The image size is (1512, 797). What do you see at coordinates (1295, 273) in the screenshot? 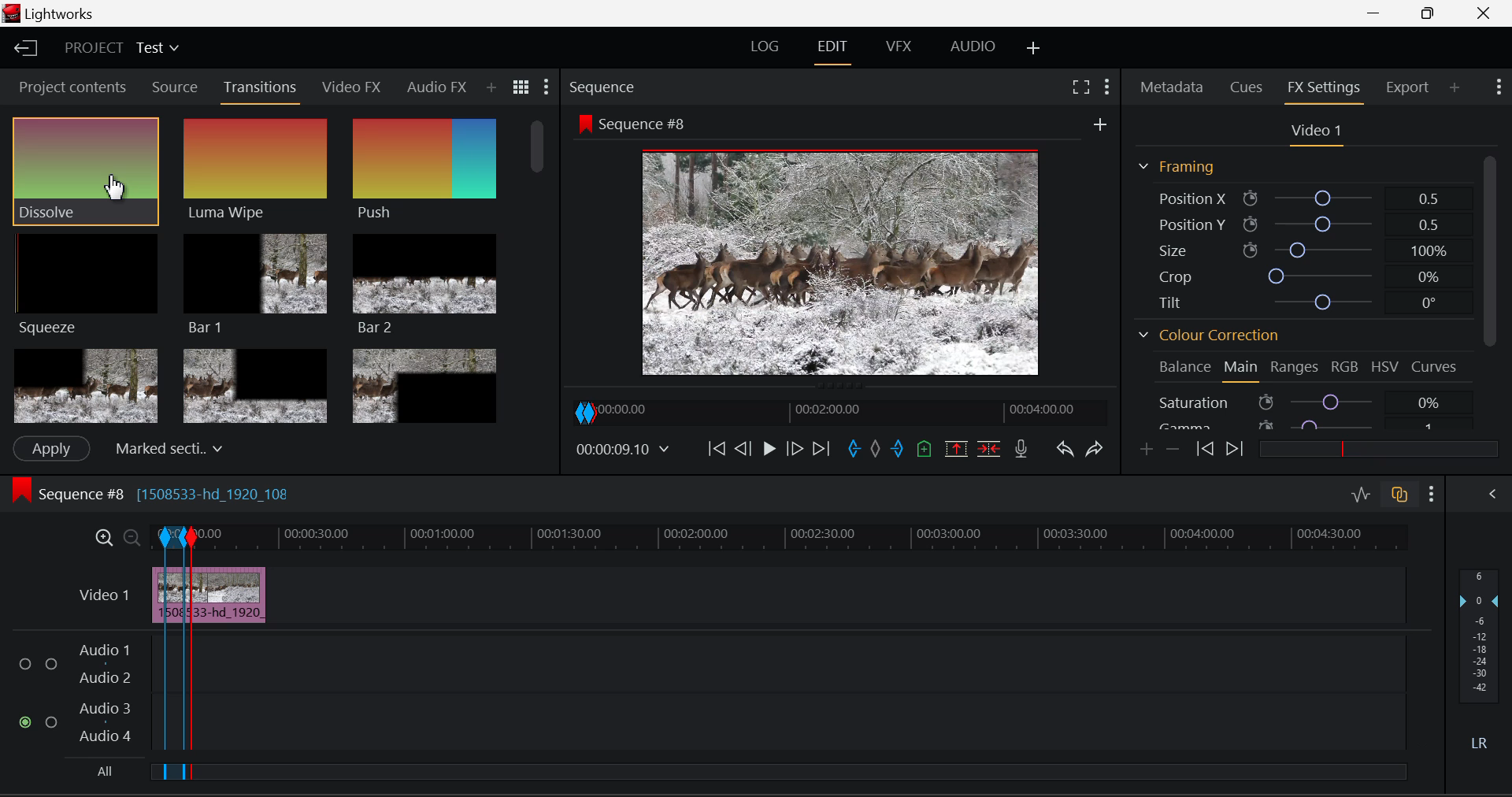
I see `Crop` at bounding box center [1295, 273].